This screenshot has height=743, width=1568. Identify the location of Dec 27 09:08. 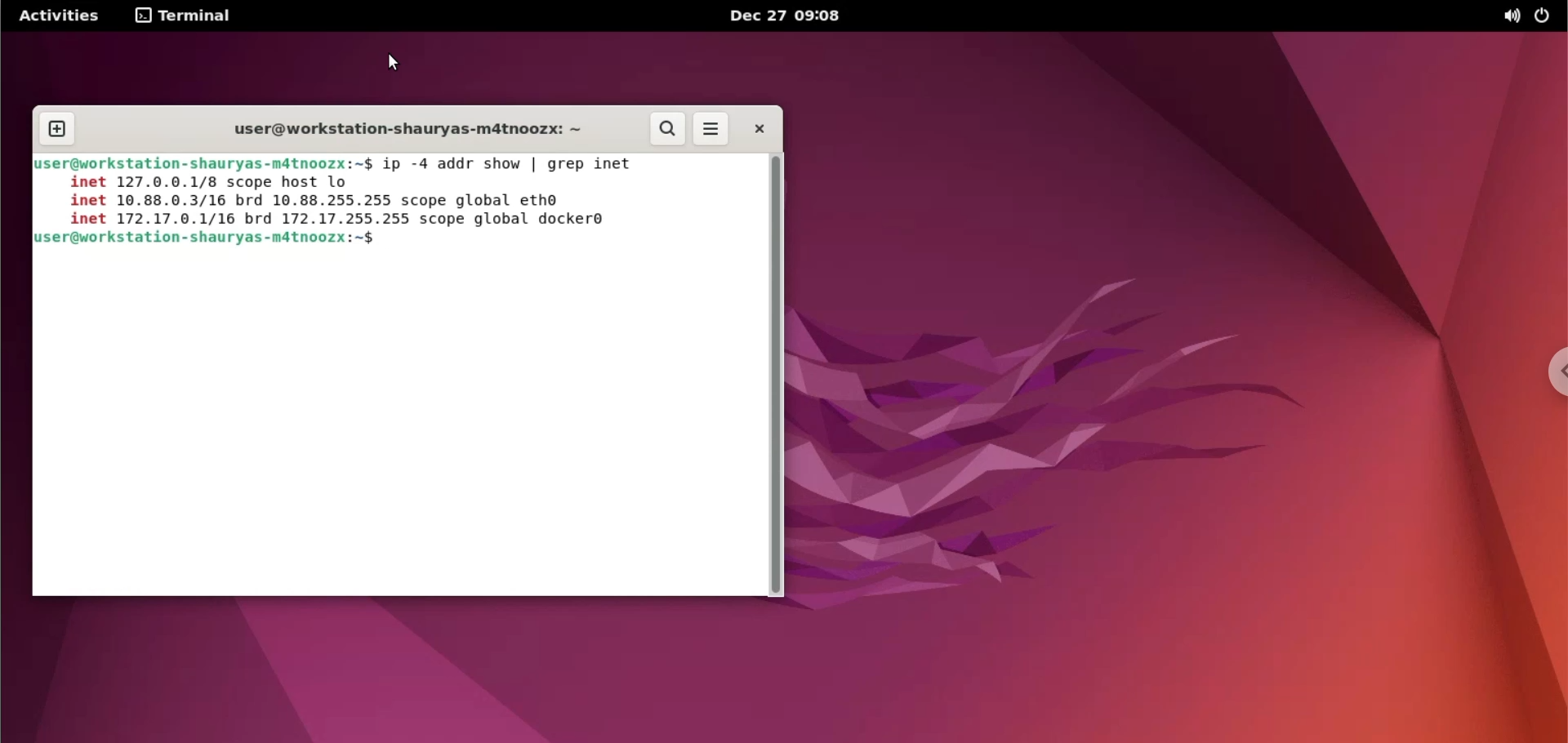
(791, 16).